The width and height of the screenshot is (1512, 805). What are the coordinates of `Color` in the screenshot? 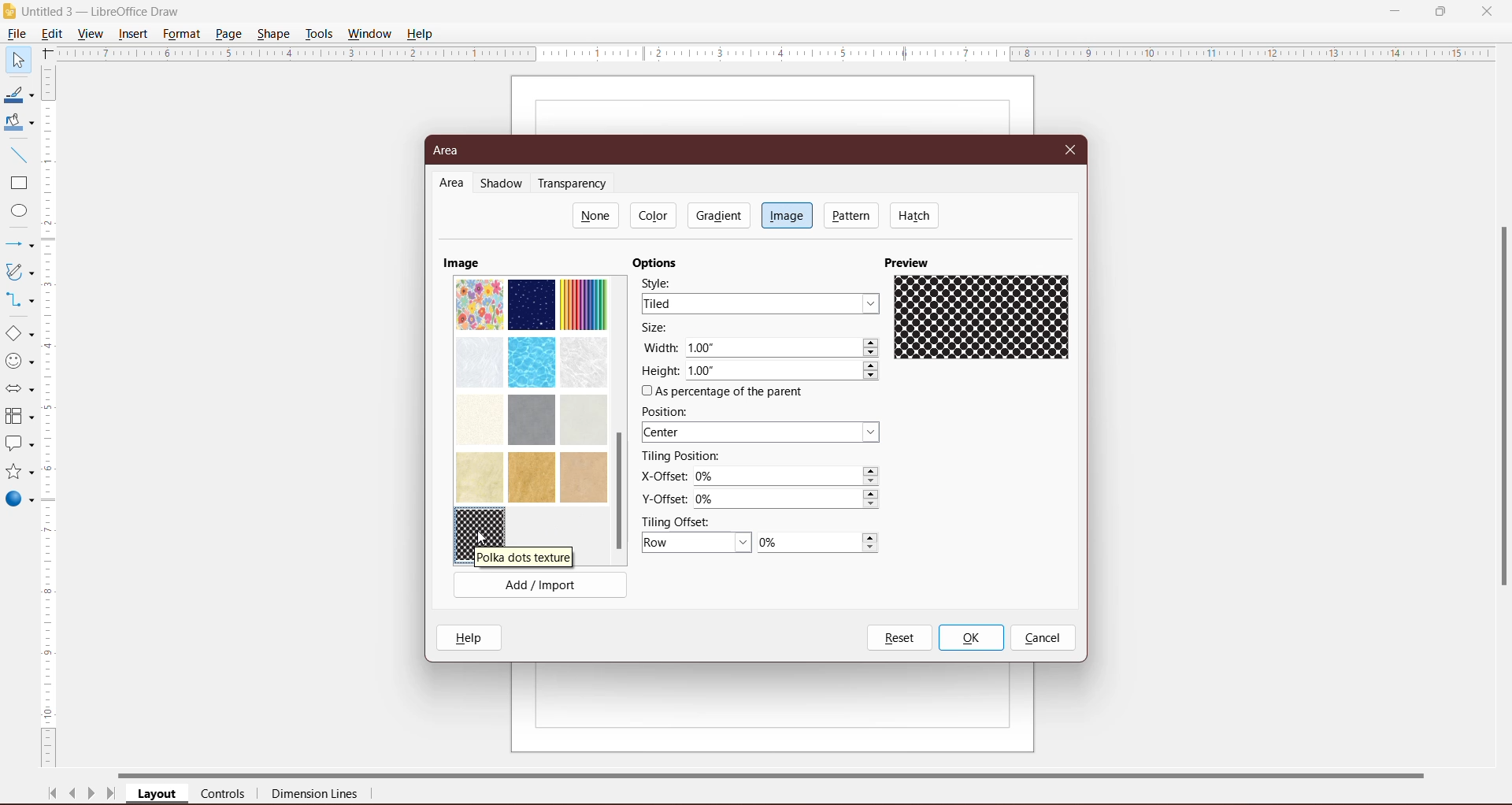 It's located at (655, 215).